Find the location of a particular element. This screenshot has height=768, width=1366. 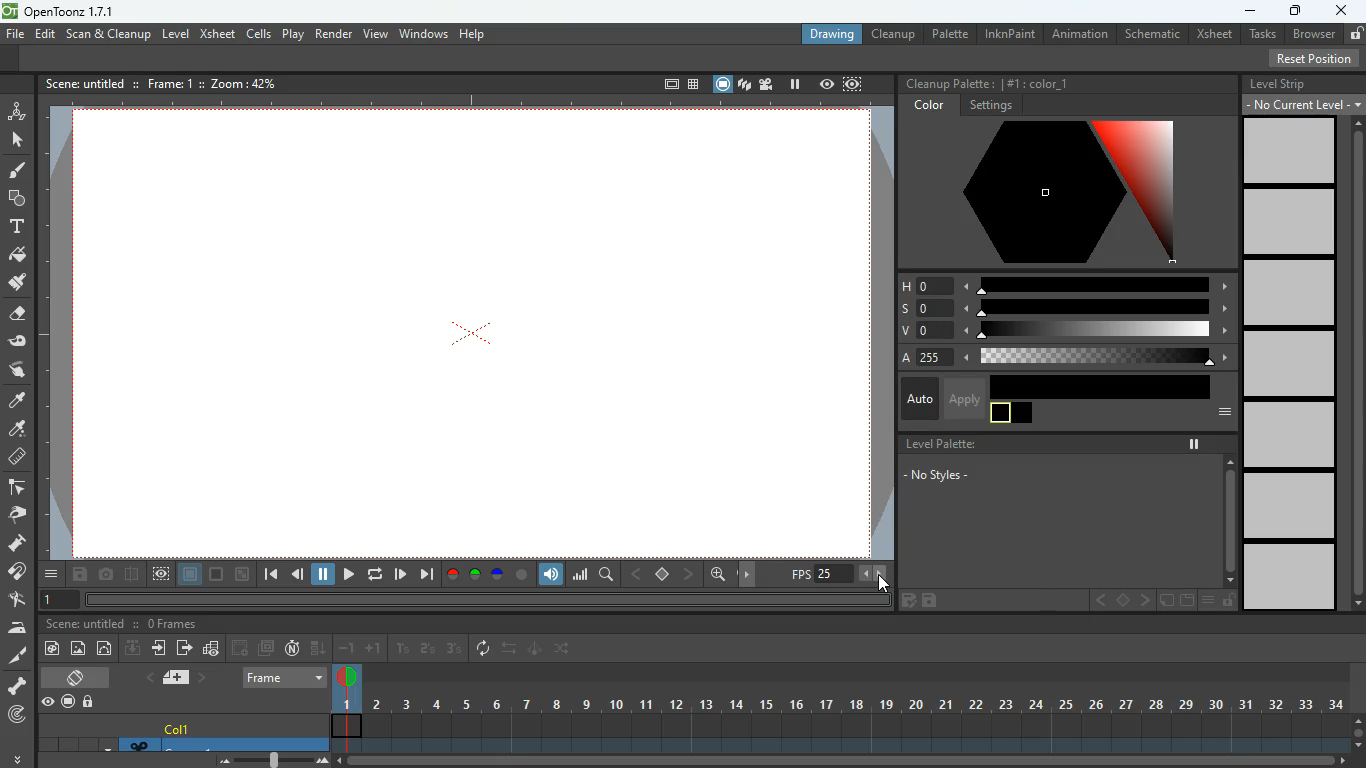

end is located at coordinates (428, 575).